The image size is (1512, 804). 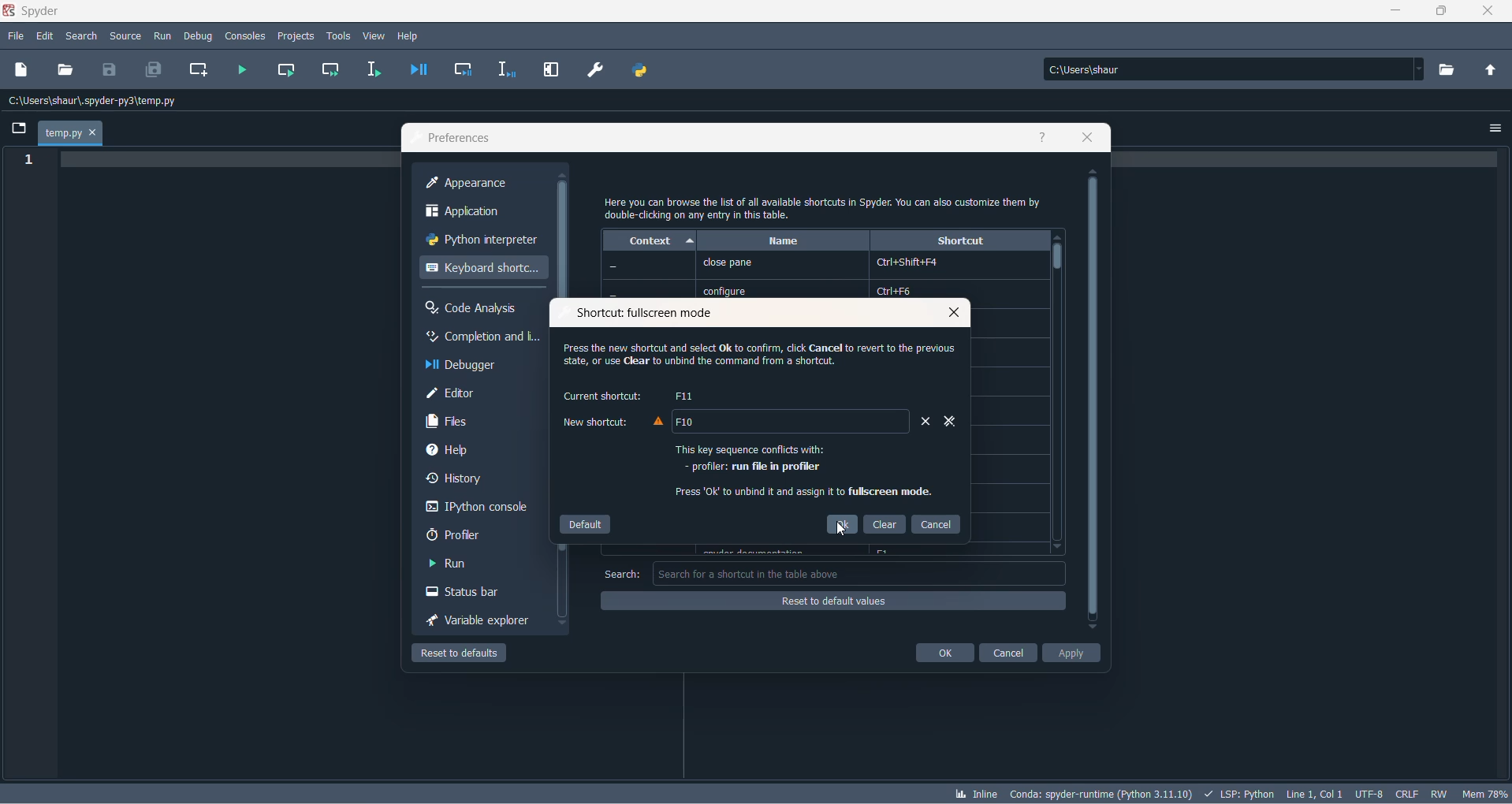 I want to click on move down, so click(x=1056, y=549).